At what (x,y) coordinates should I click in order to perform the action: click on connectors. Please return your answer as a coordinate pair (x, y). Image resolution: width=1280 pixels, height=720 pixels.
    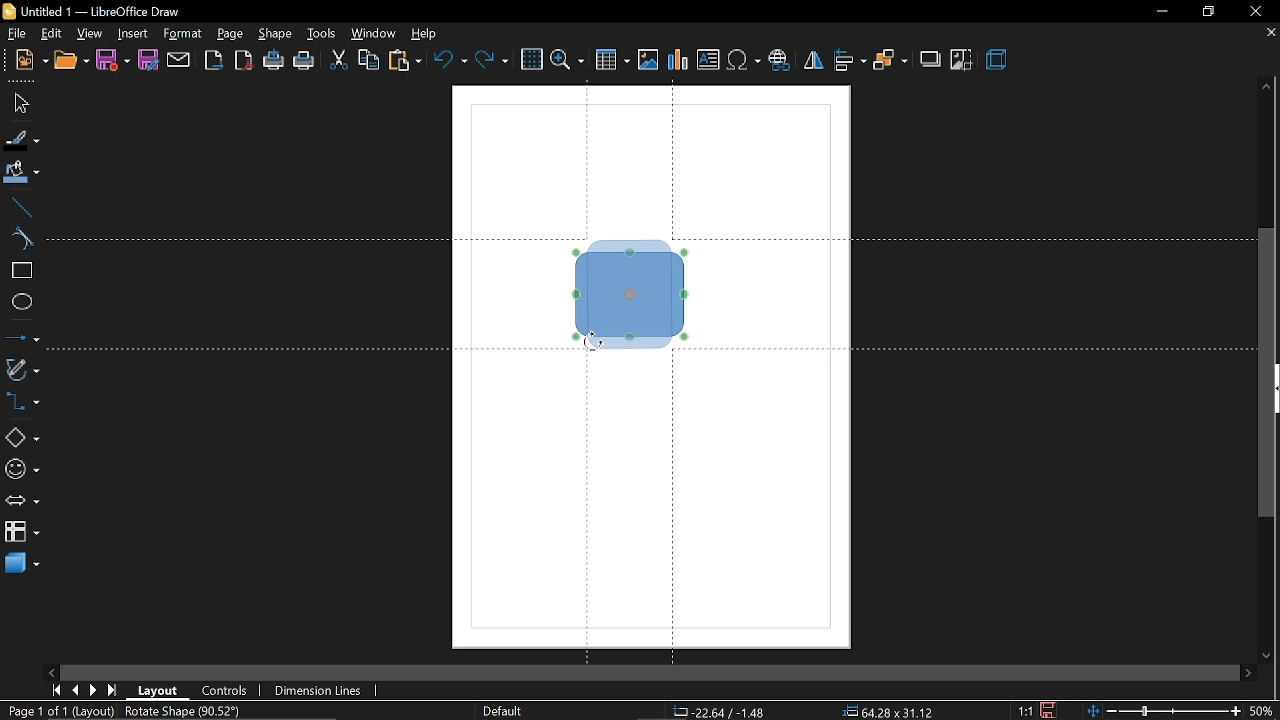
    Looking at the image, I should click on (22, 403).